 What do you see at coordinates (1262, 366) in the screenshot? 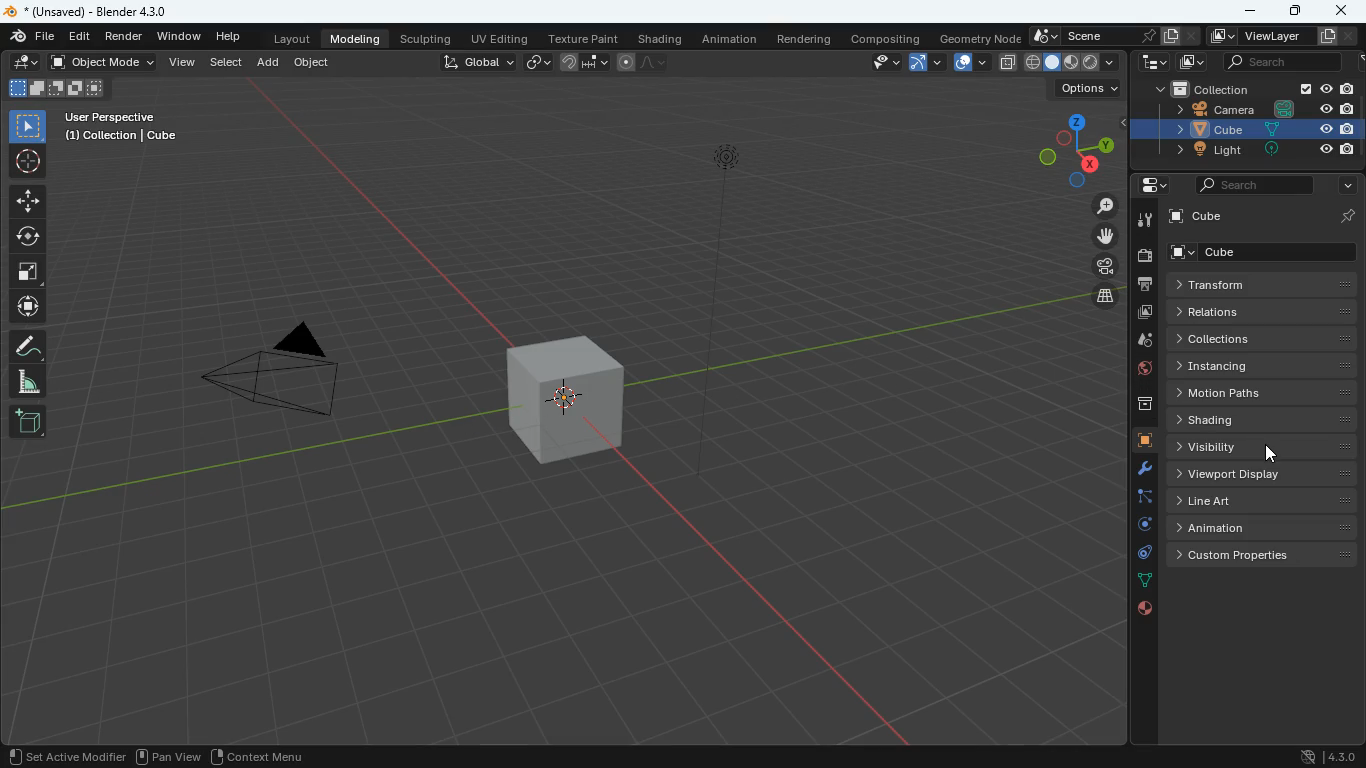
I see `instancing` at bounding box center [1262, 366].